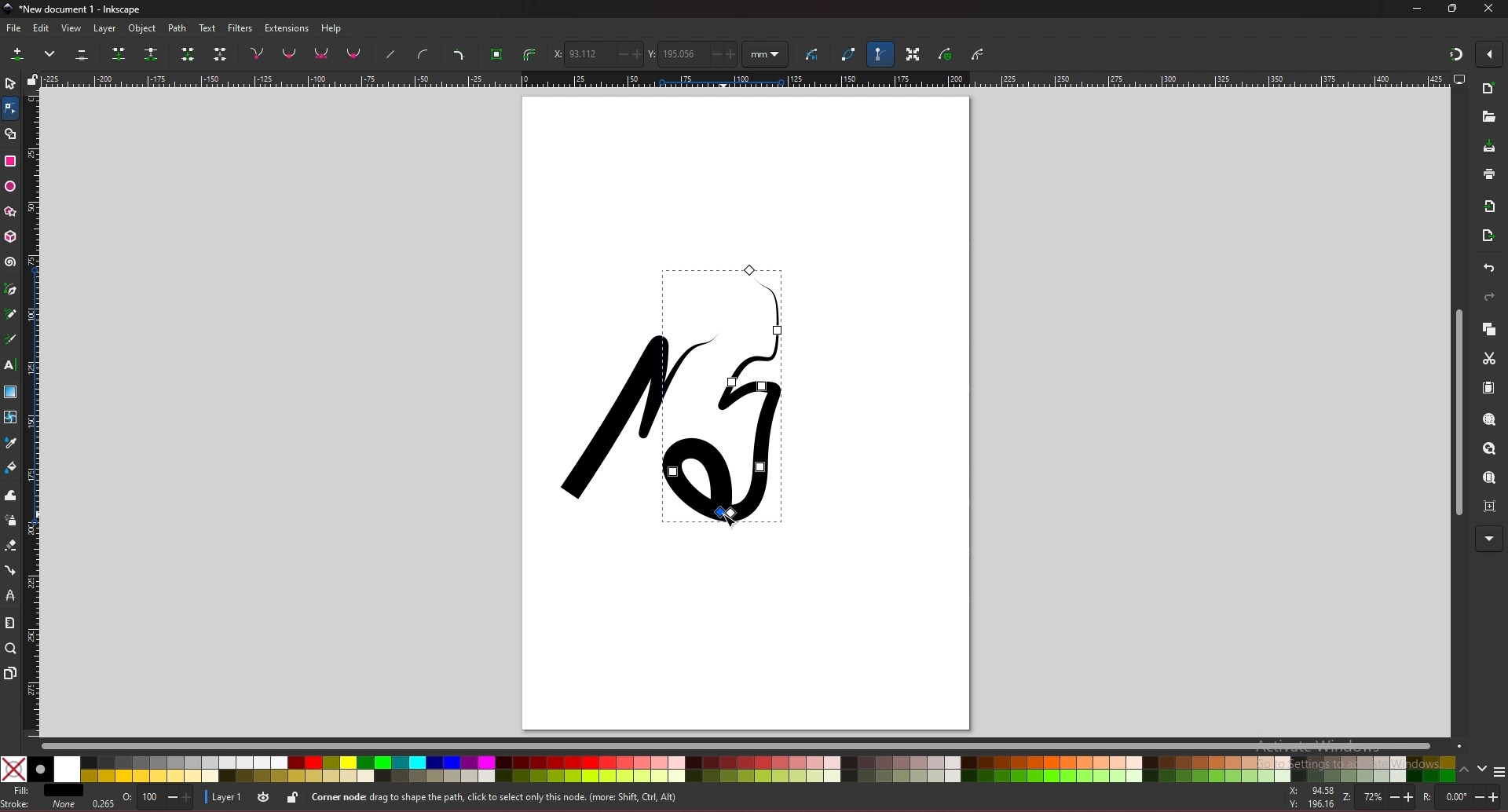  Describe the element at coordinates (353, 53) in the screenshot. I see `auto smooth nodes` at that location.